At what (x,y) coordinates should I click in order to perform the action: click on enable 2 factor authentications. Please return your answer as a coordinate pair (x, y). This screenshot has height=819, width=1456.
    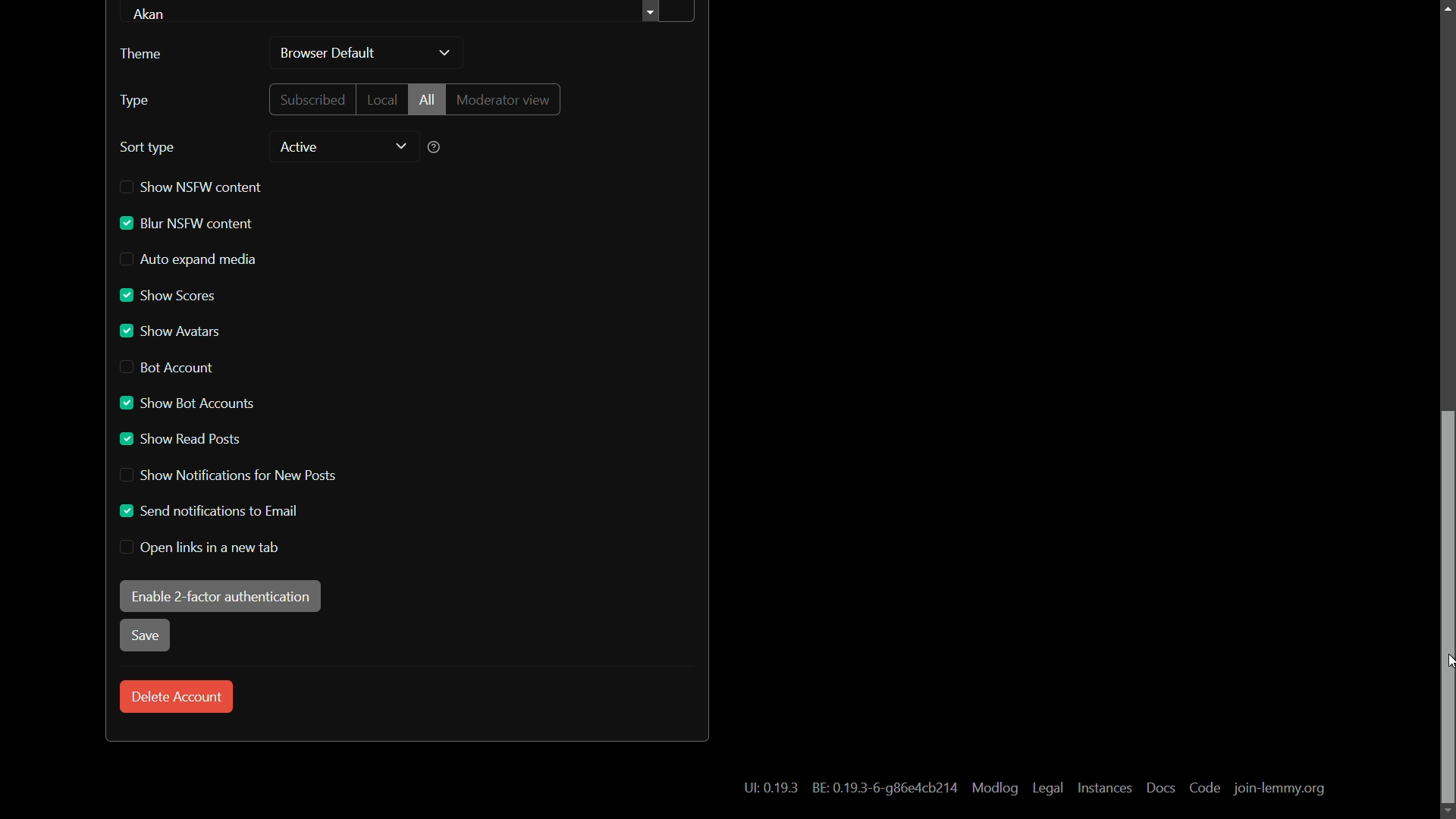
    Looking at the image, I should click on (220, 595).